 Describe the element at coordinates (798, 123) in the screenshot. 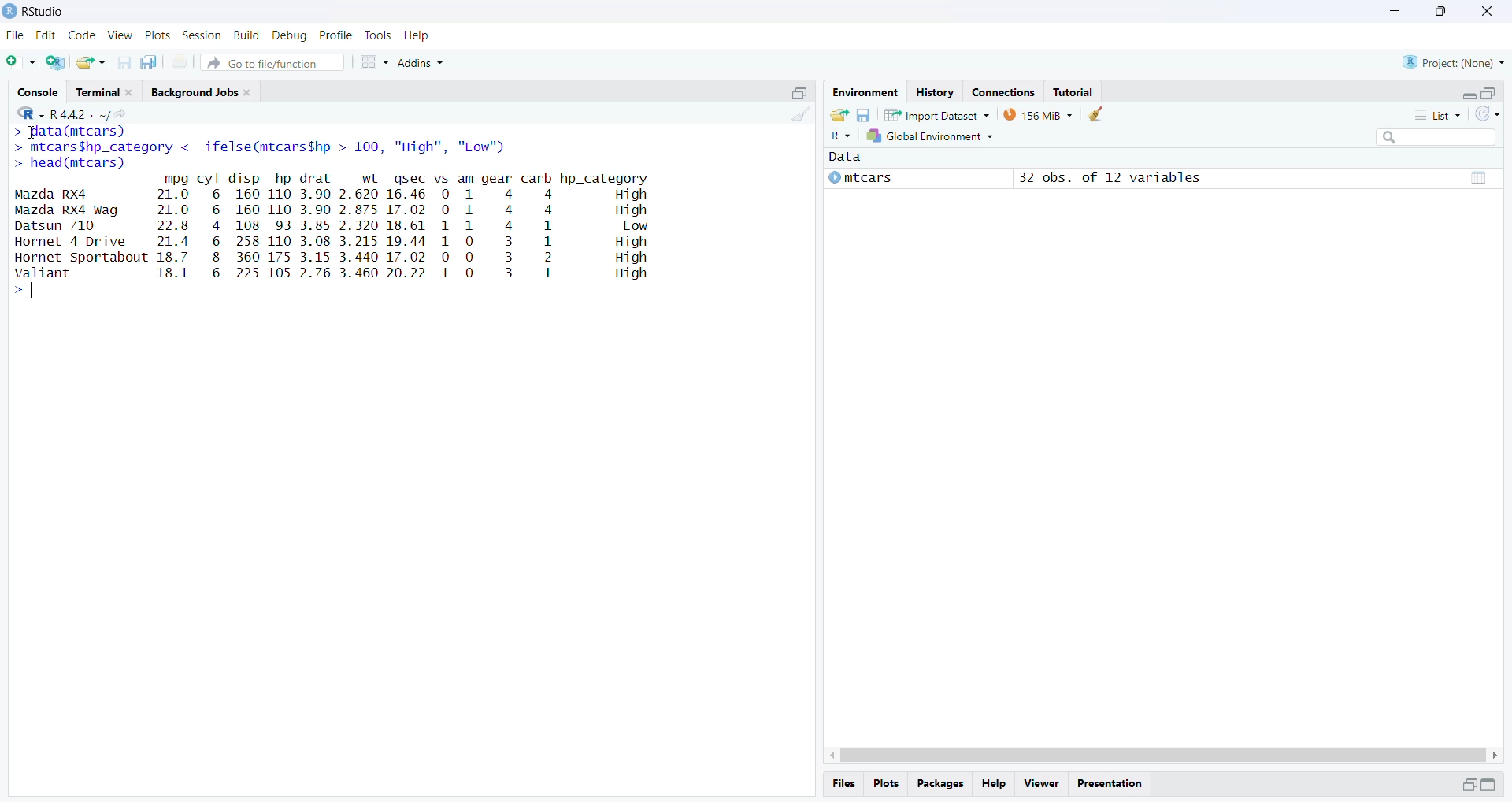

I see `Clear console (Ctrl +L)` at that location.